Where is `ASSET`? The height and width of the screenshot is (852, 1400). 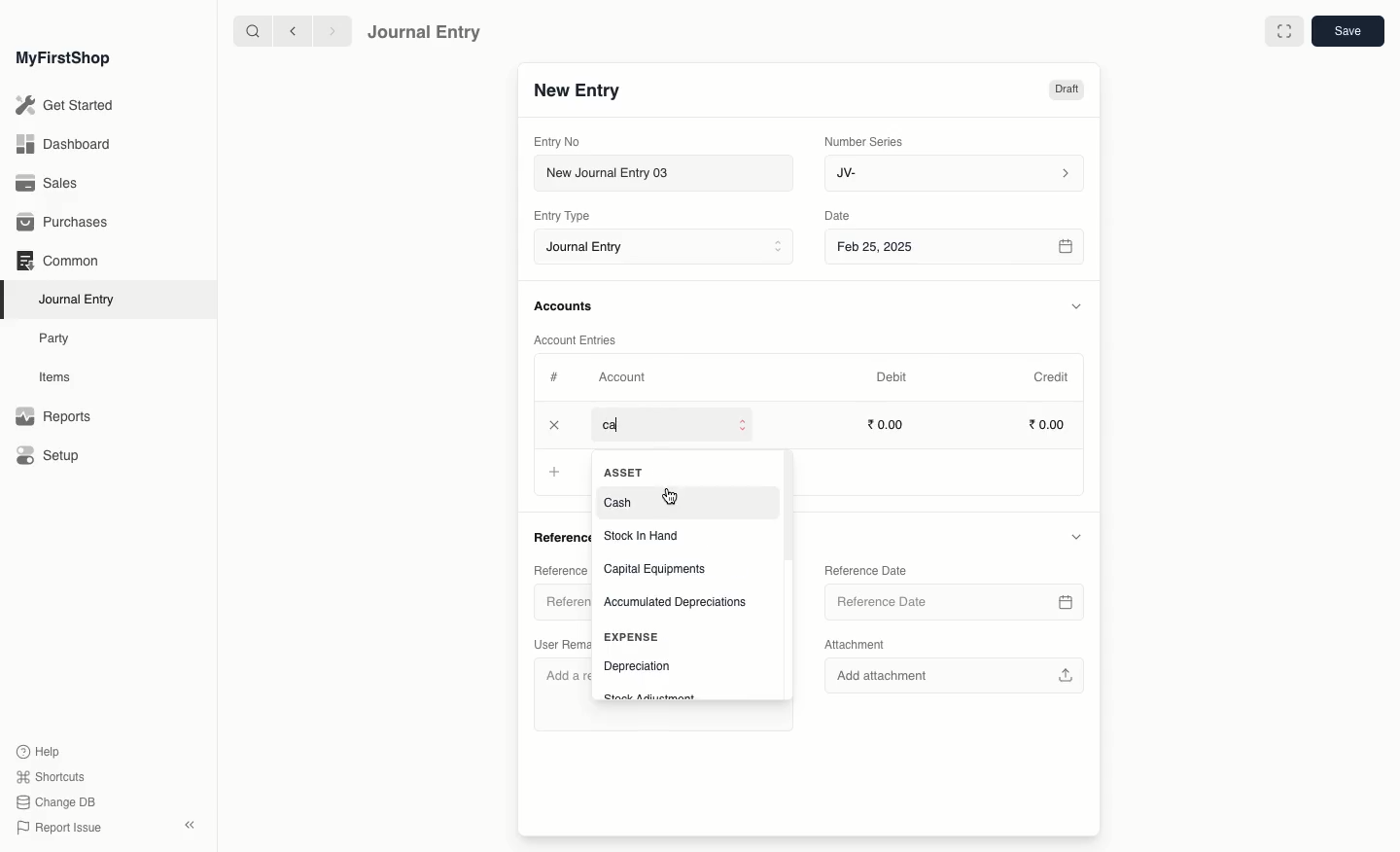 ASSET is located at coordinates (628, 472).